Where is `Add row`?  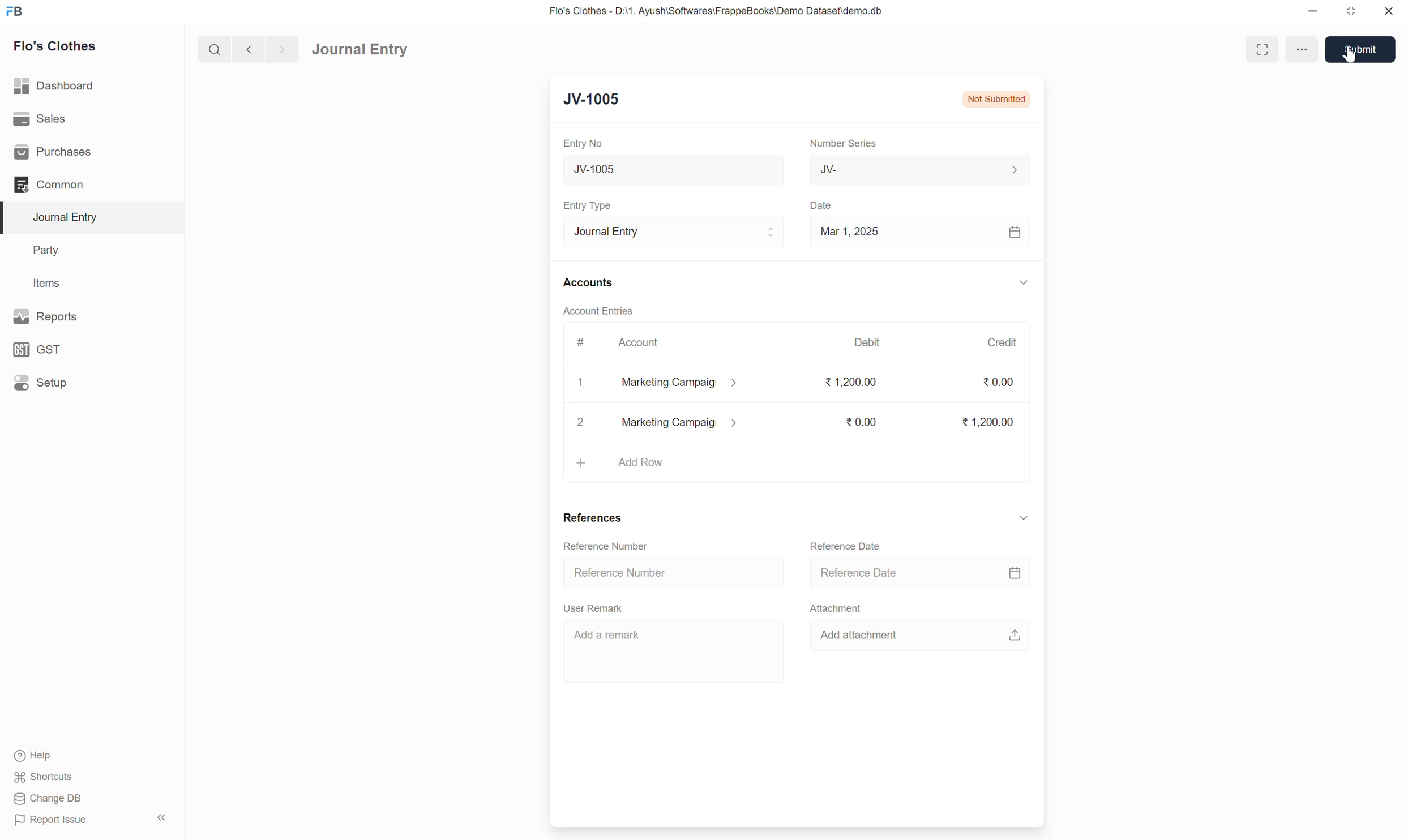 Add row is located at coordinates (640, 462).